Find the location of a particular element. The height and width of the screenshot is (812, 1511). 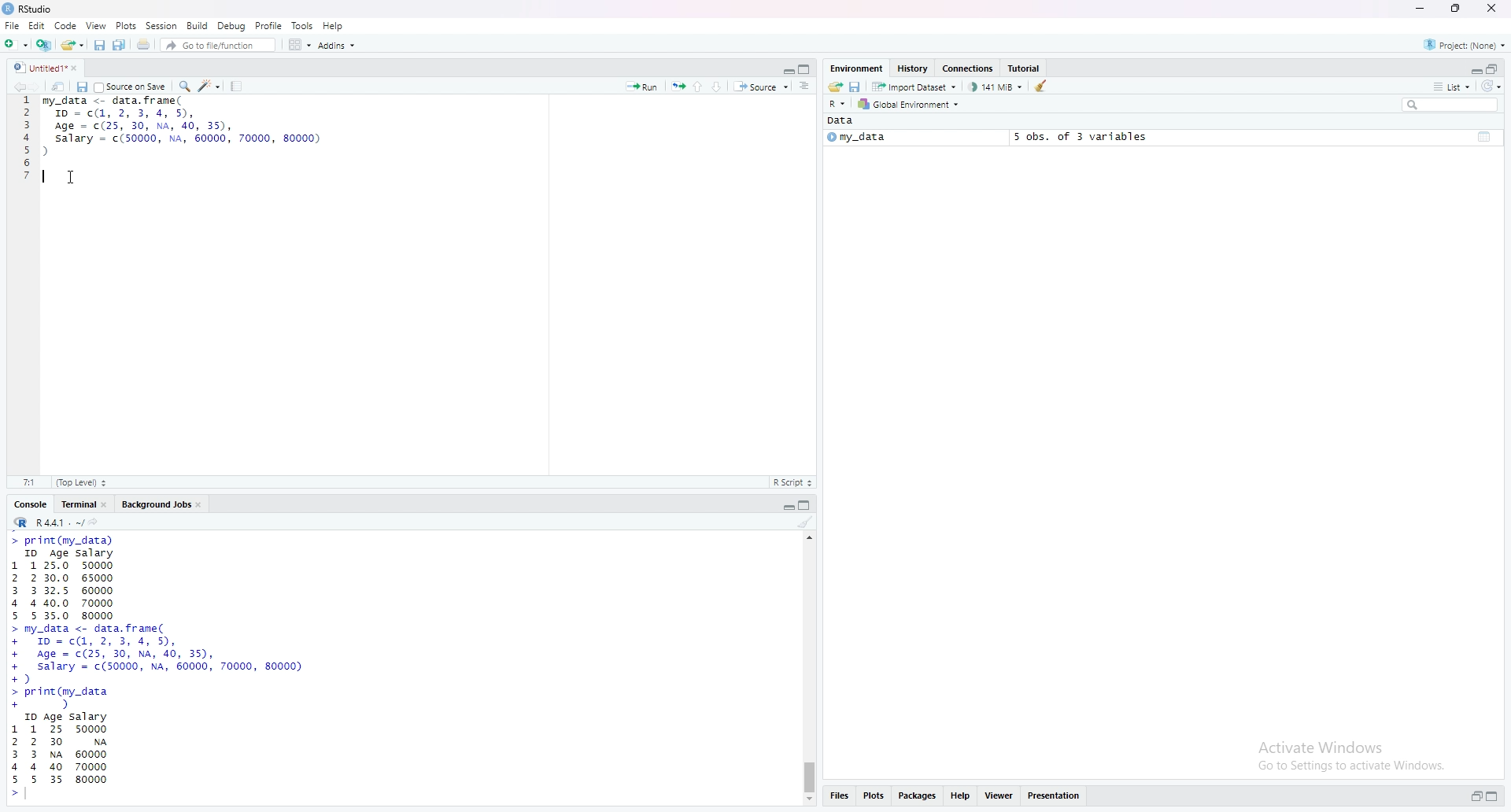

cursor is located at coordinates (72, 178).